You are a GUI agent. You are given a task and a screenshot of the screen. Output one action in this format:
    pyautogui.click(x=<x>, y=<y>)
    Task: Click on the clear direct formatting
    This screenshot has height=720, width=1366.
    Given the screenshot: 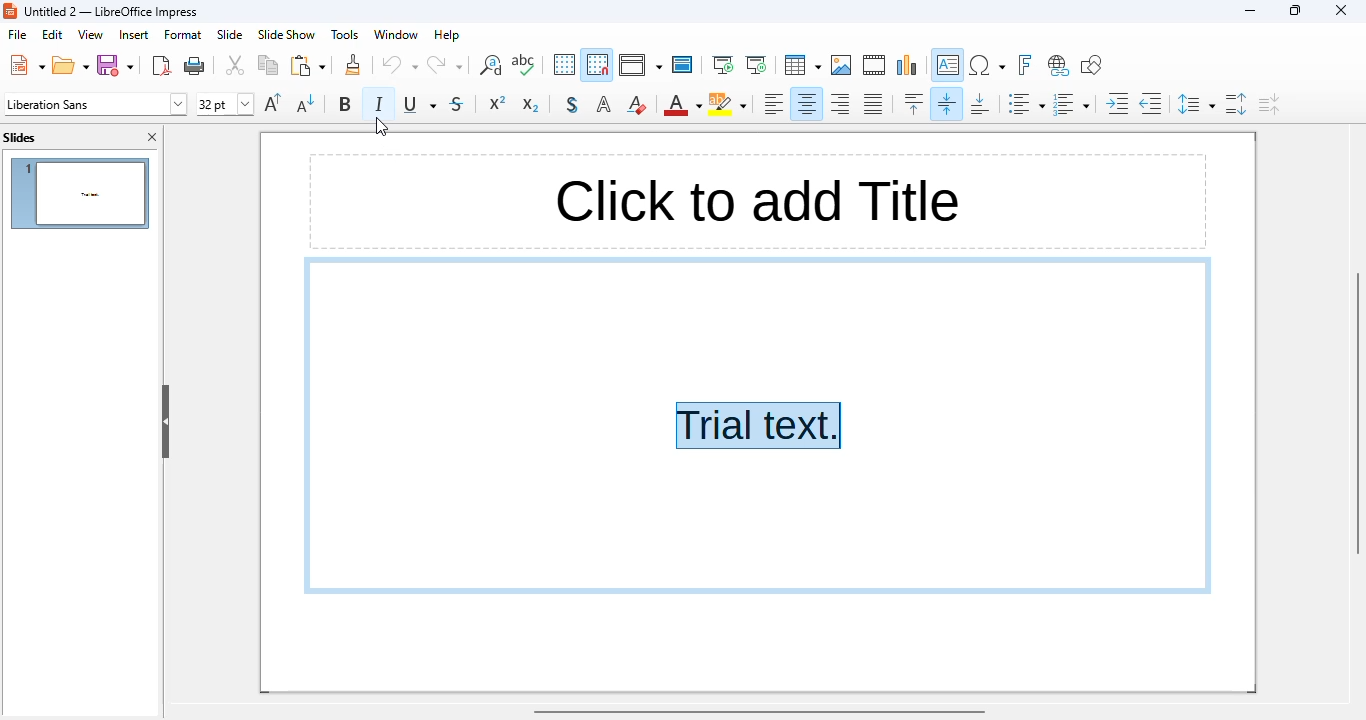 What is the action you would take?
    pyautogui.click(x=636, y=104)
    